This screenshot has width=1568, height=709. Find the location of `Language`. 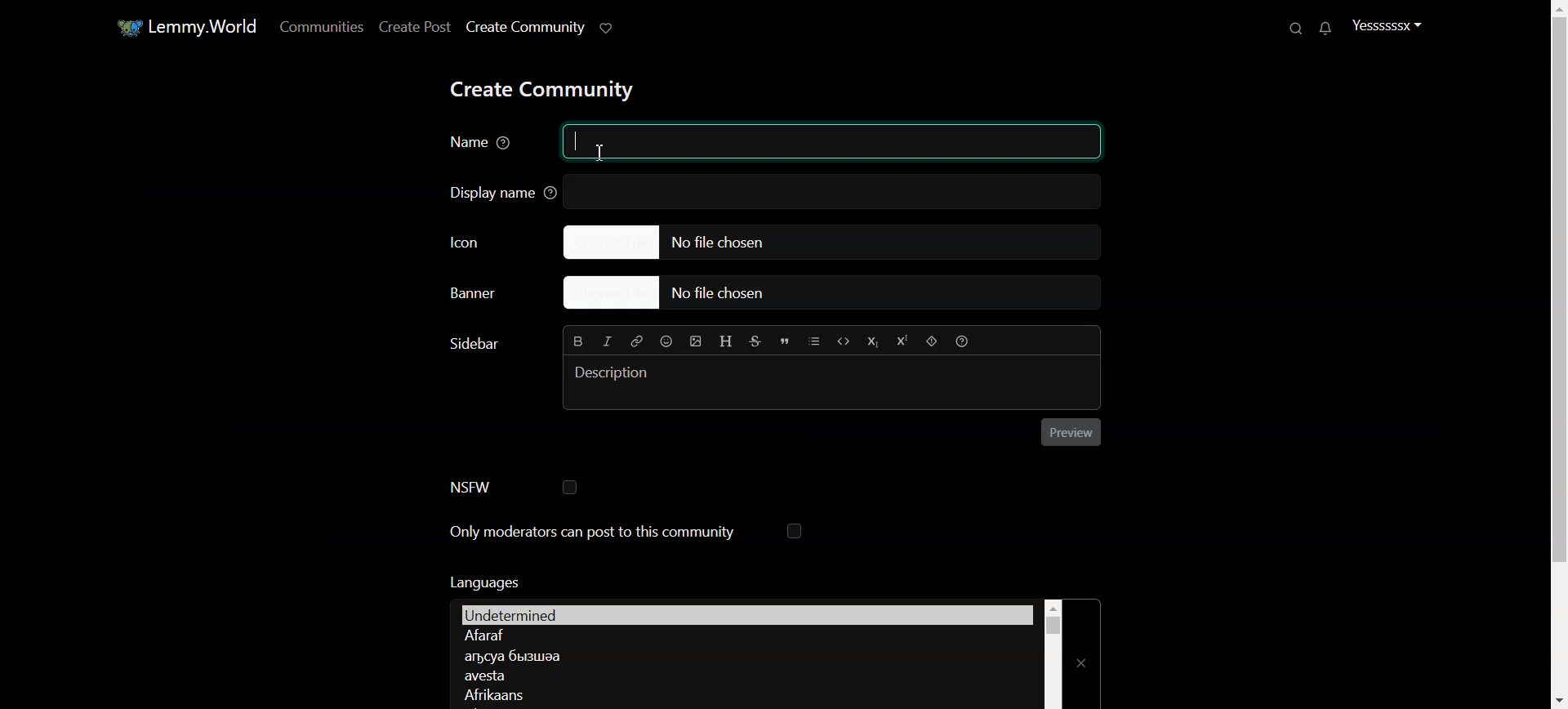

Language is located at coordinates (742, 693).